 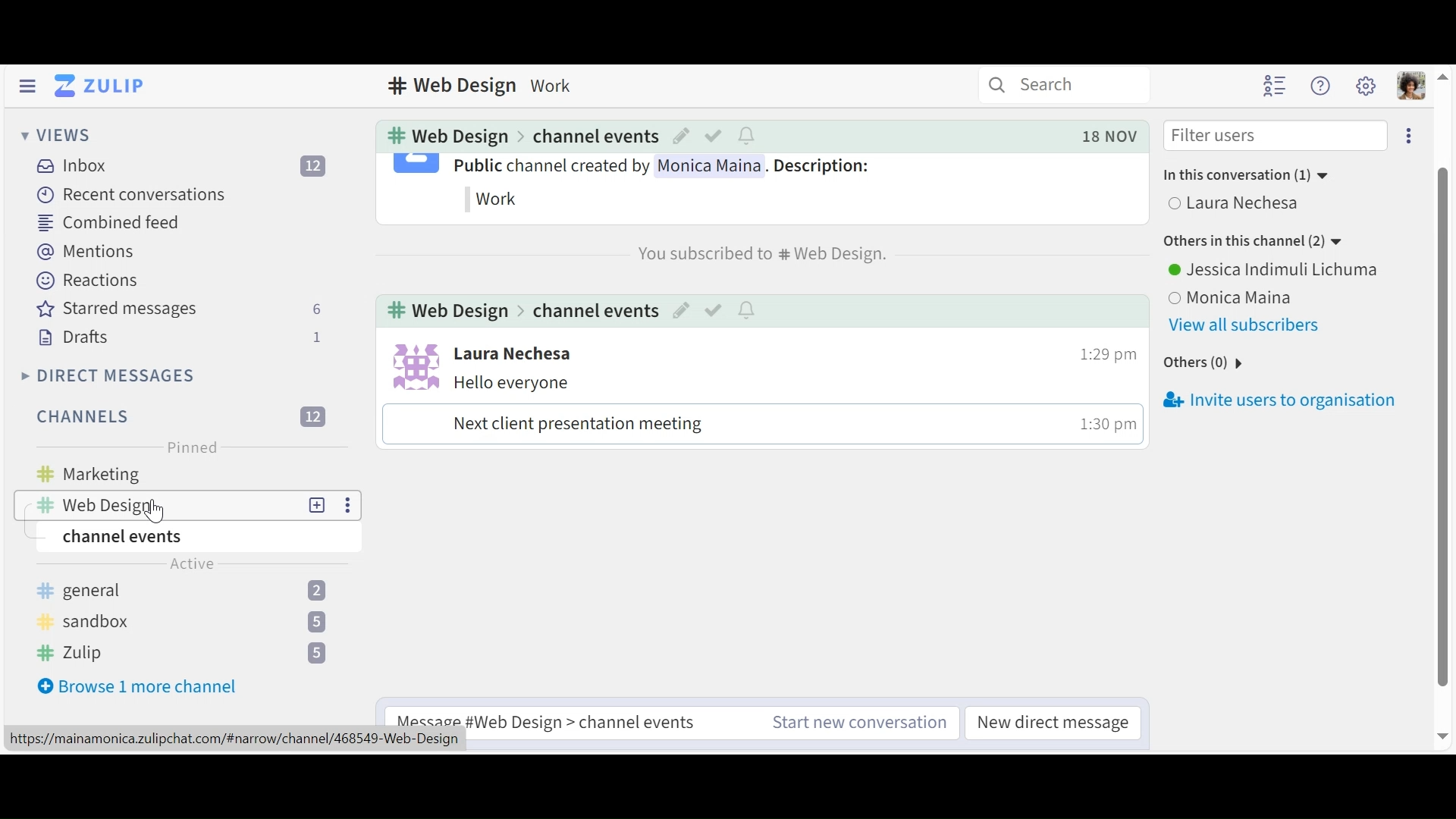 I want to click on Hide Side Pane, so click(x=24, y=86).